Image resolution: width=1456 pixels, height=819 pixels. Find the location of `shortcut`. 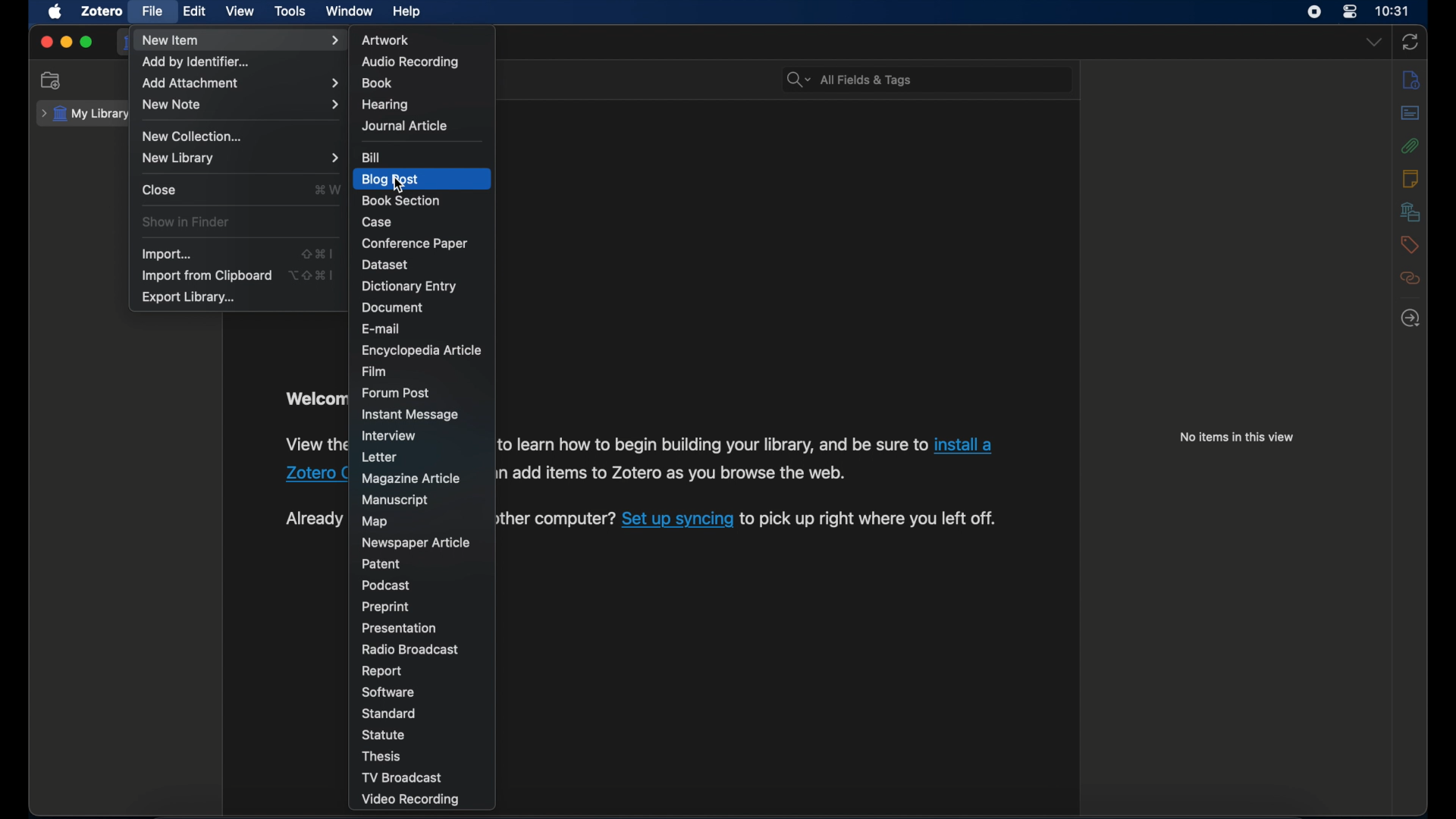

shortcut is located at coordinates (312, 275).